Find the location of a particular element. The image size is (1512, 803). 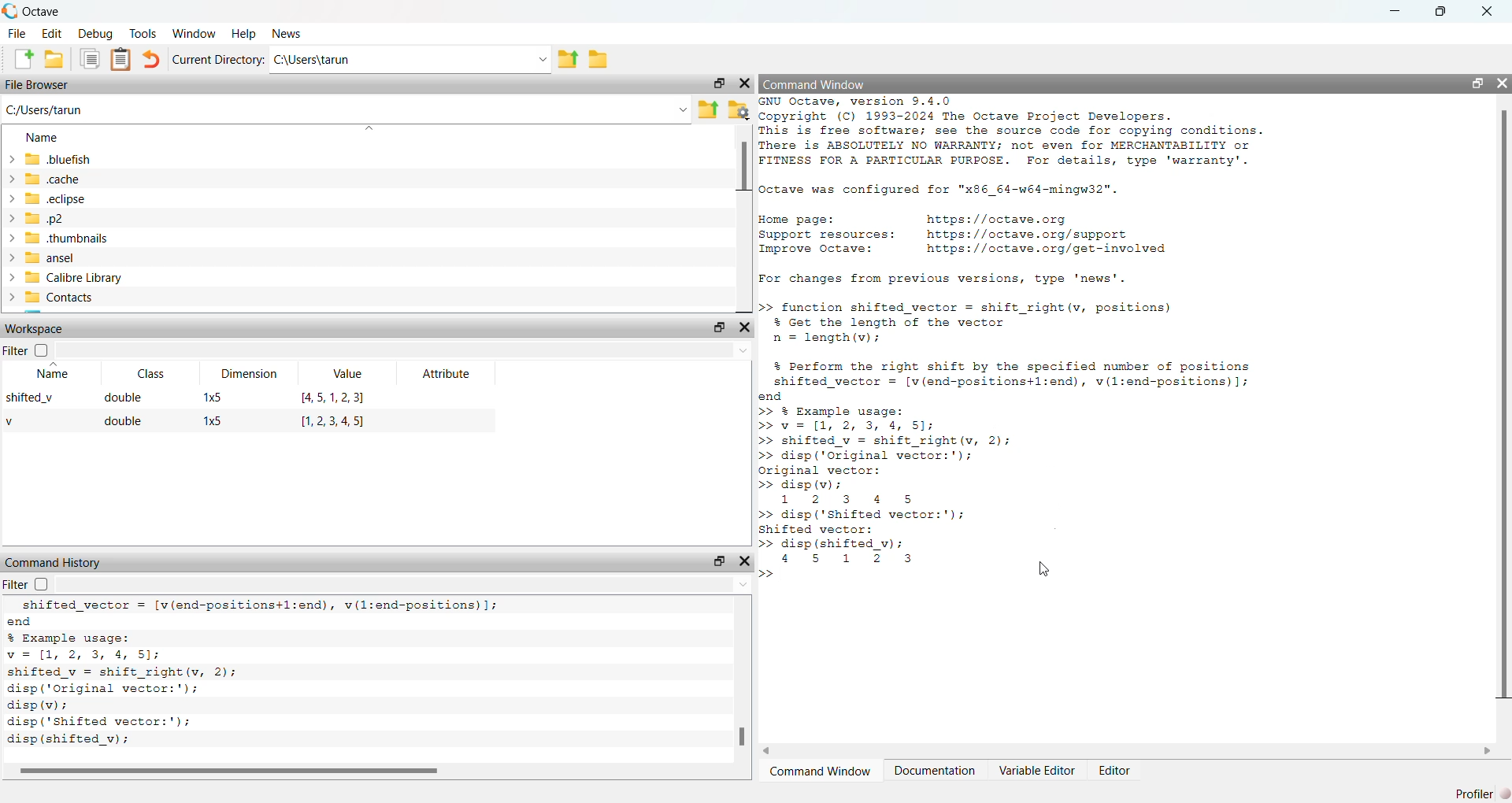

command history is located at coordinates (52, 562).